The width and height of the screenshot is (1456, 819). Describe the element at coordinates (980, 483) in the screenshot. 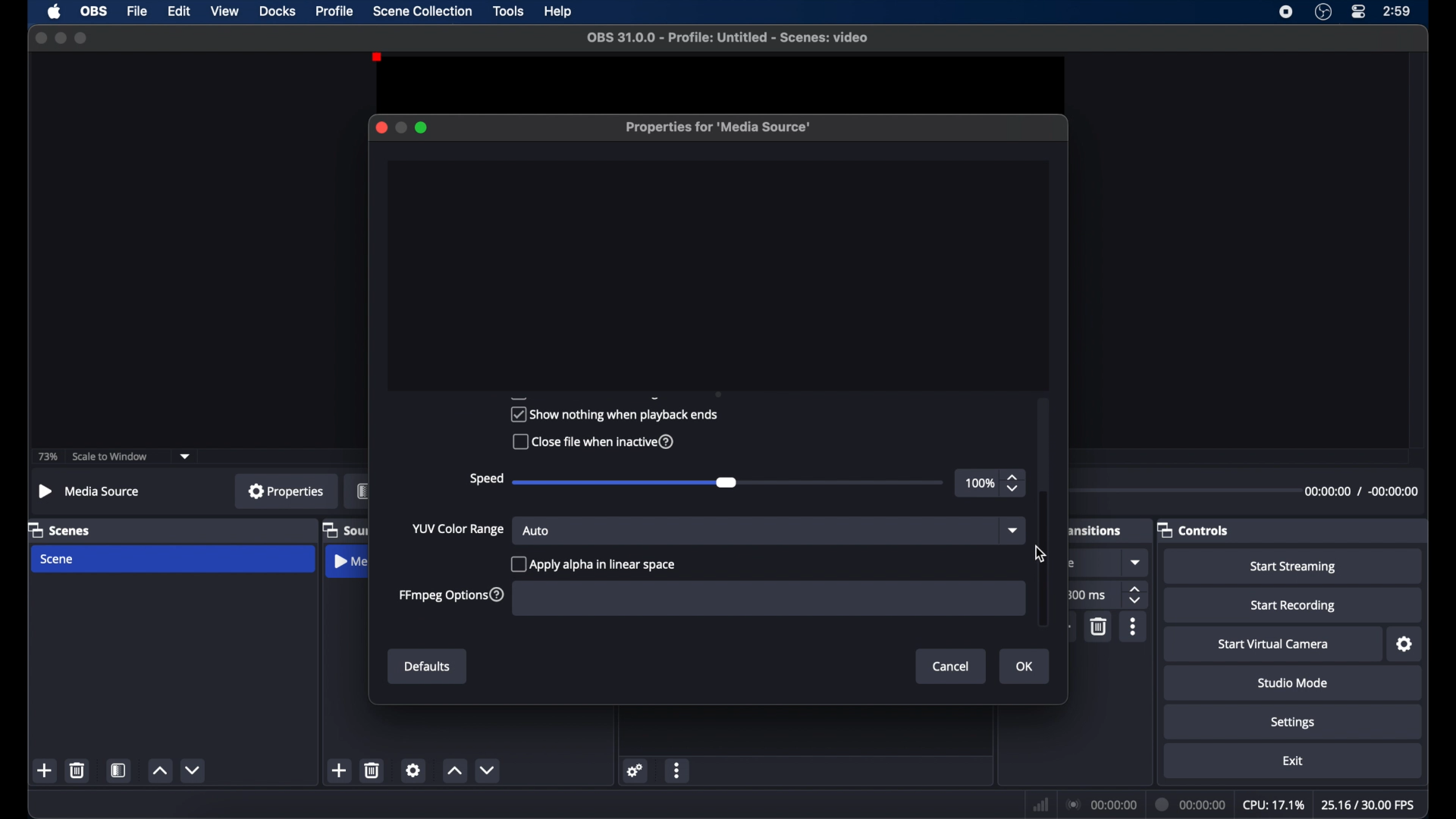

I see `100%` at that location.